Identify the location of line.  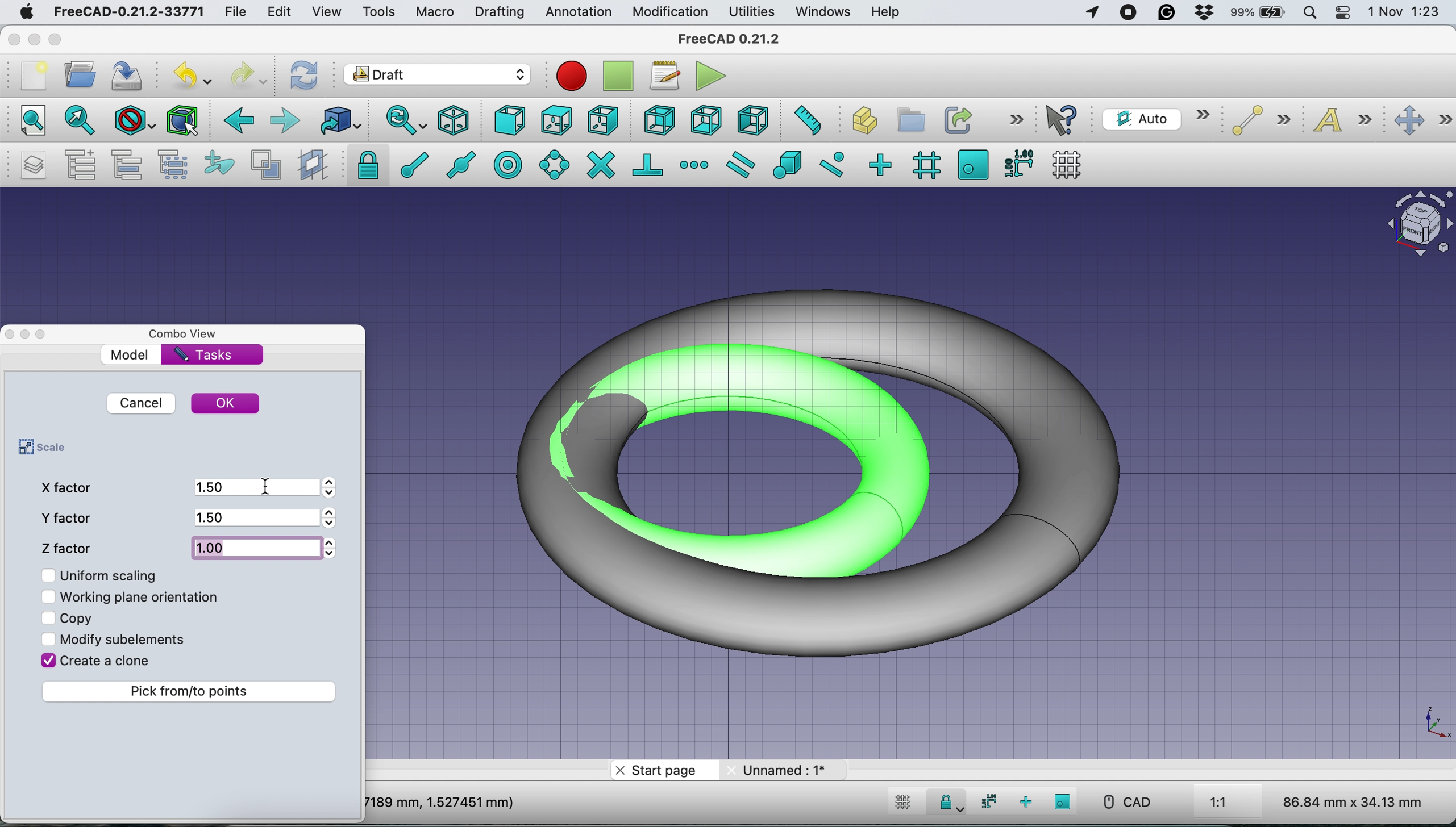
(1257, 121).